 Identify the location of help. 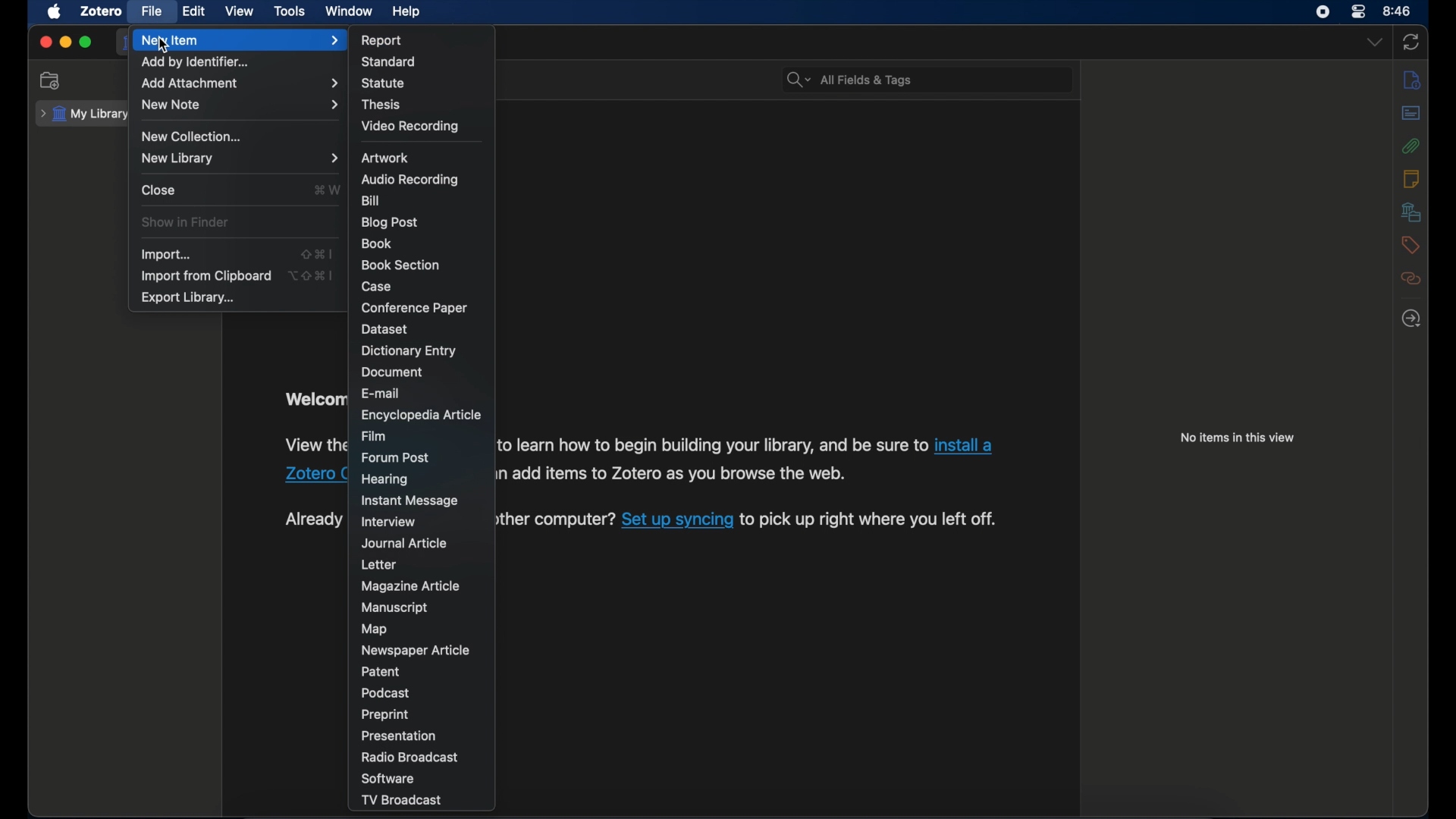
(406, 11).